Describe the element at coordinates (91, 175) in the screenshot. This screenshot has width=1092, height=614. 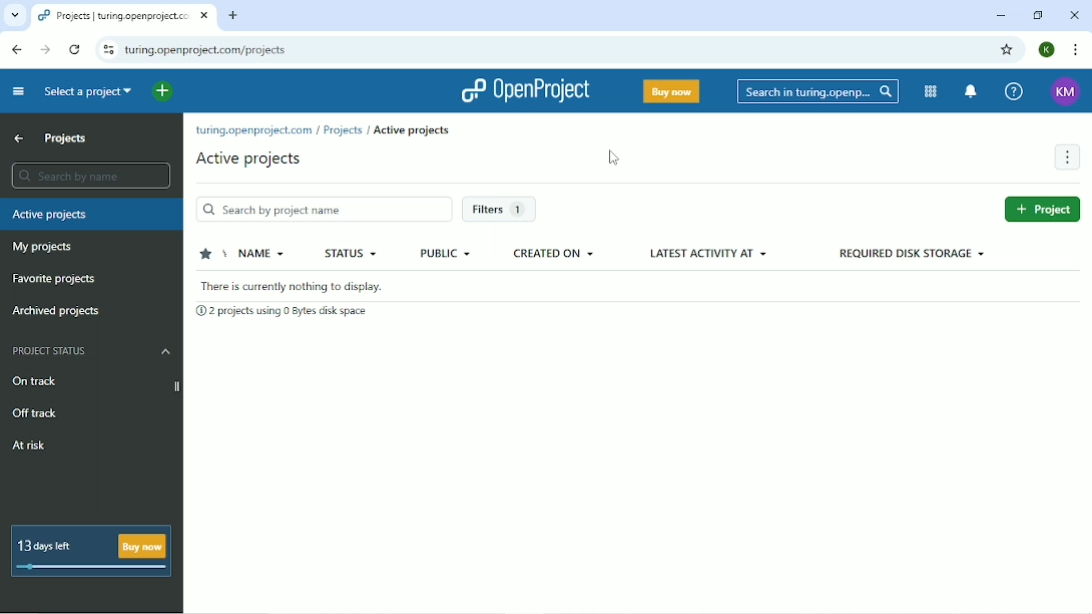
I see `Search by name` at that location.